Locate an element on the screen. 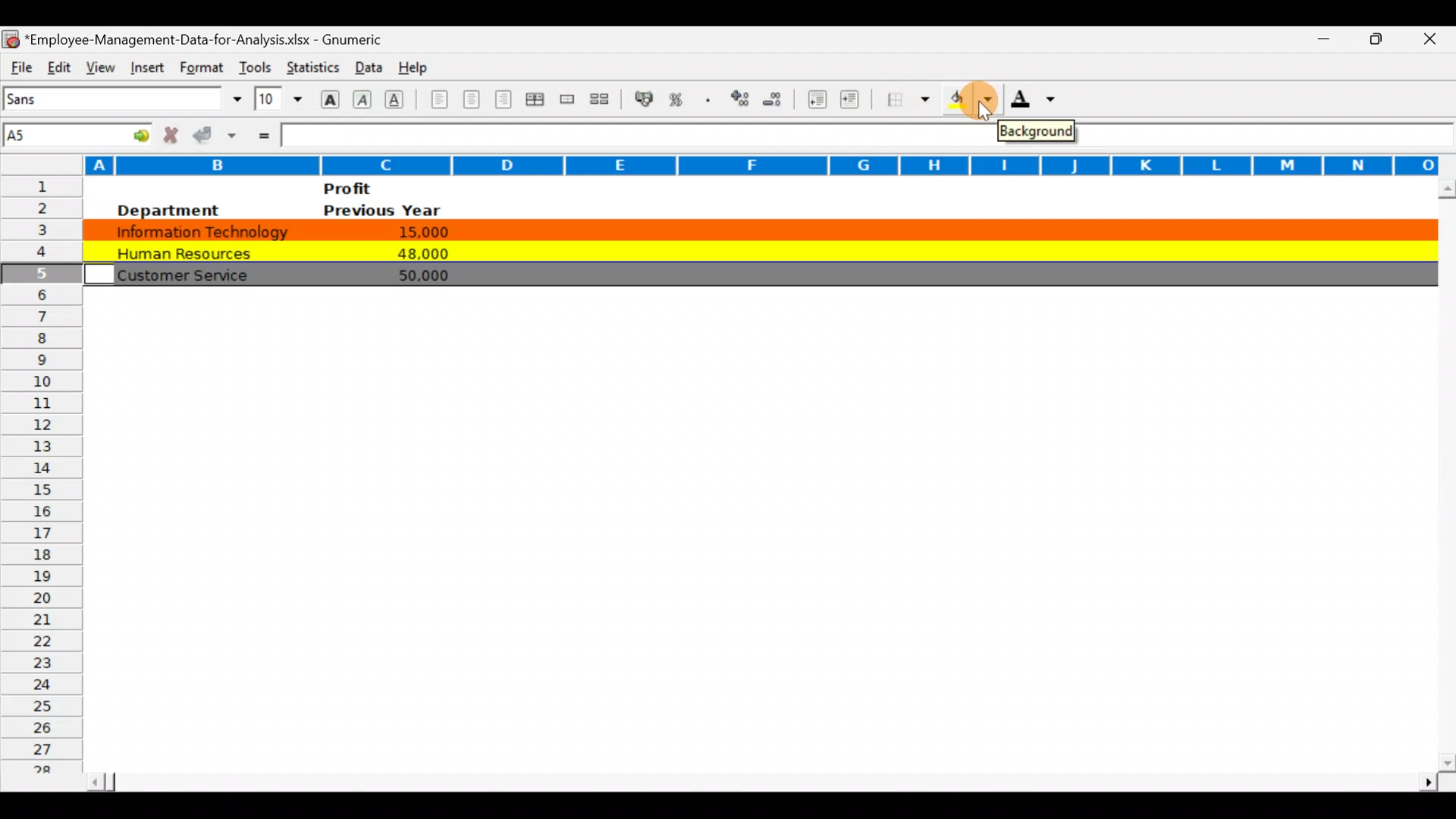  *Employee-Management-Data-for-Analysis.xlsx - Gnumeric is located at coordinates (213, 37).